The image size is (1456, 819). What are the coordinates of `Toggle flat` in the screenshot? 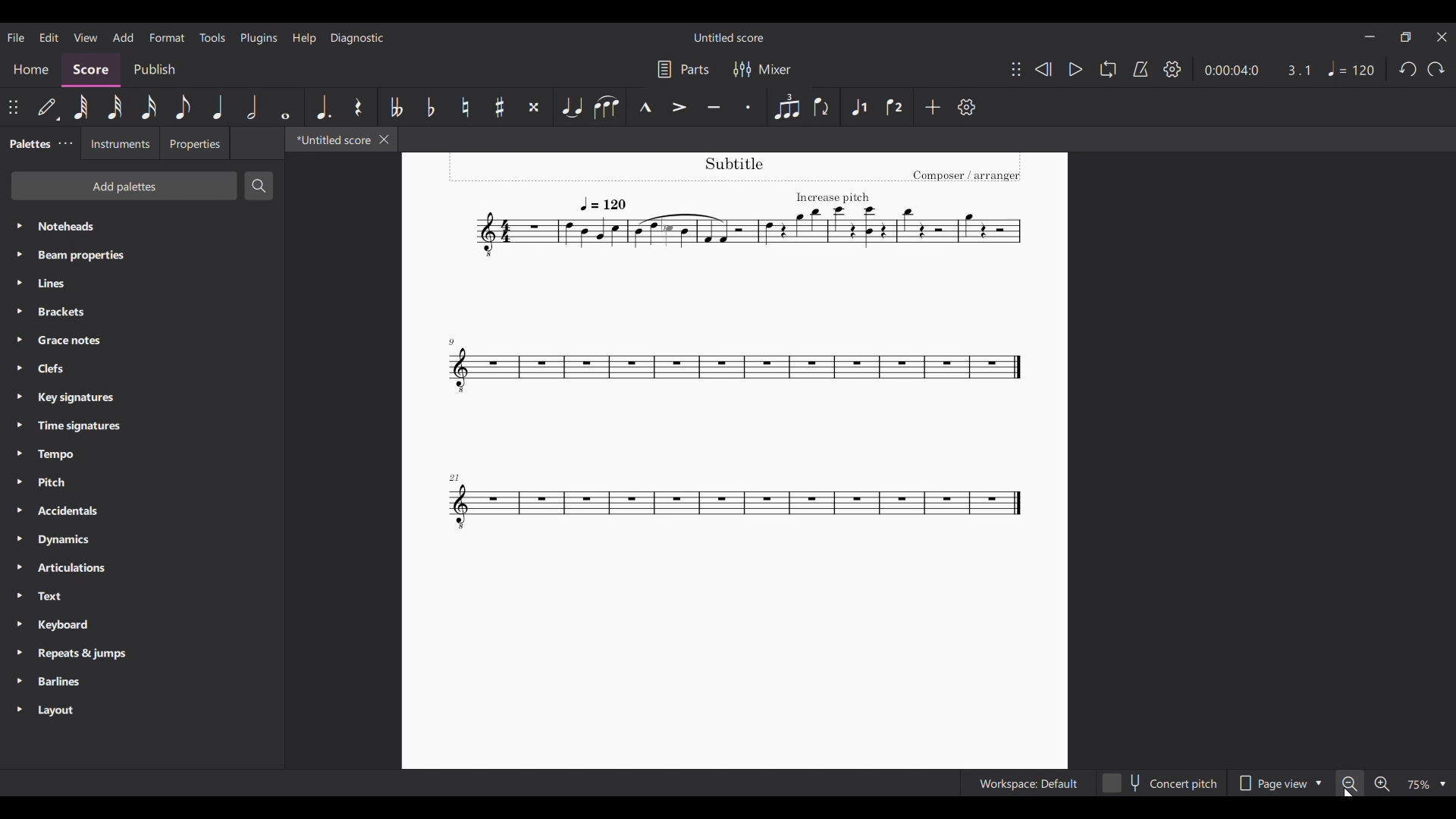 It's located at (431, 107).